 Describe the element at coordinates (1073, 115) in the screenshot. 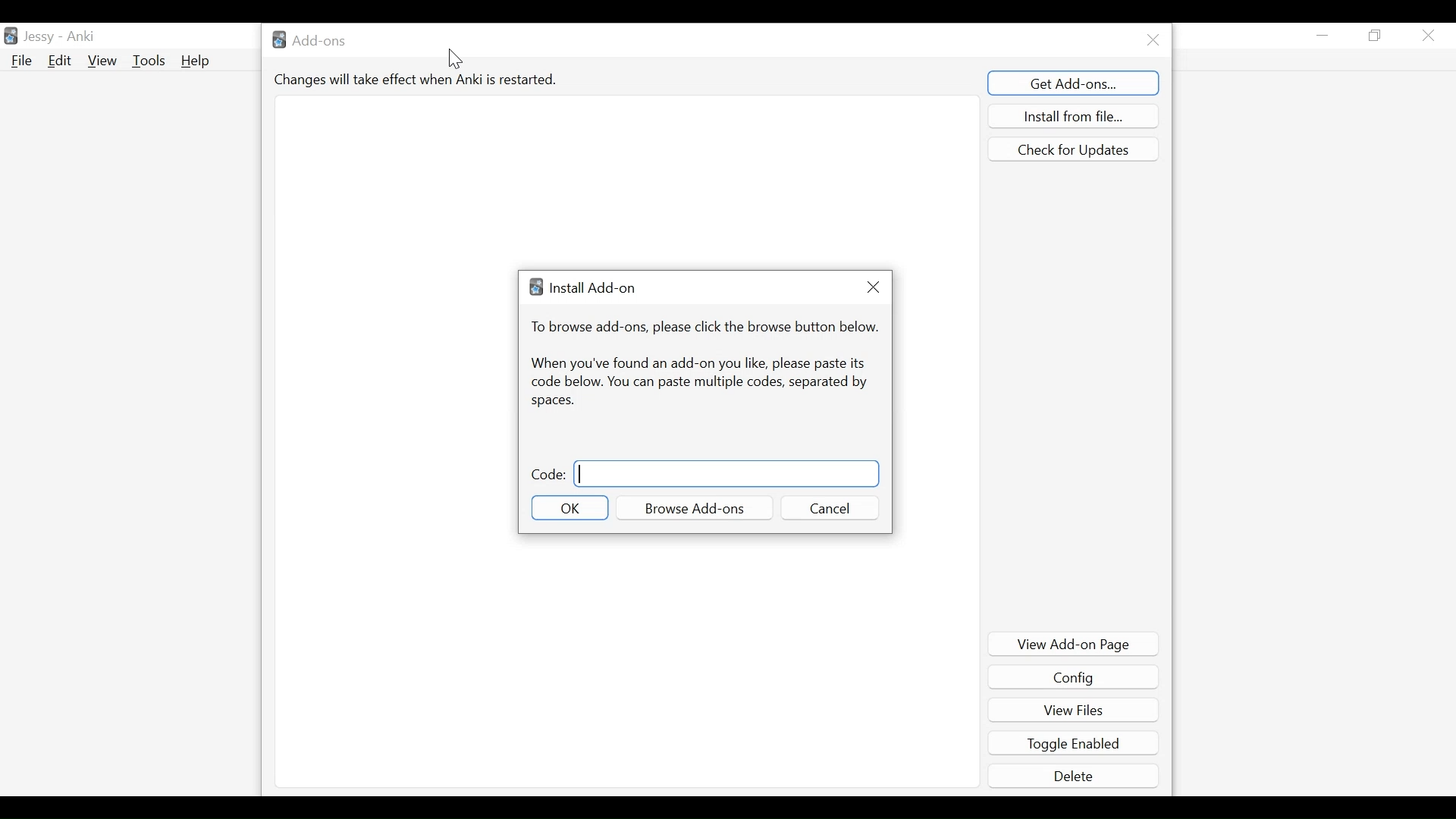

I see `Install from file` at that location.